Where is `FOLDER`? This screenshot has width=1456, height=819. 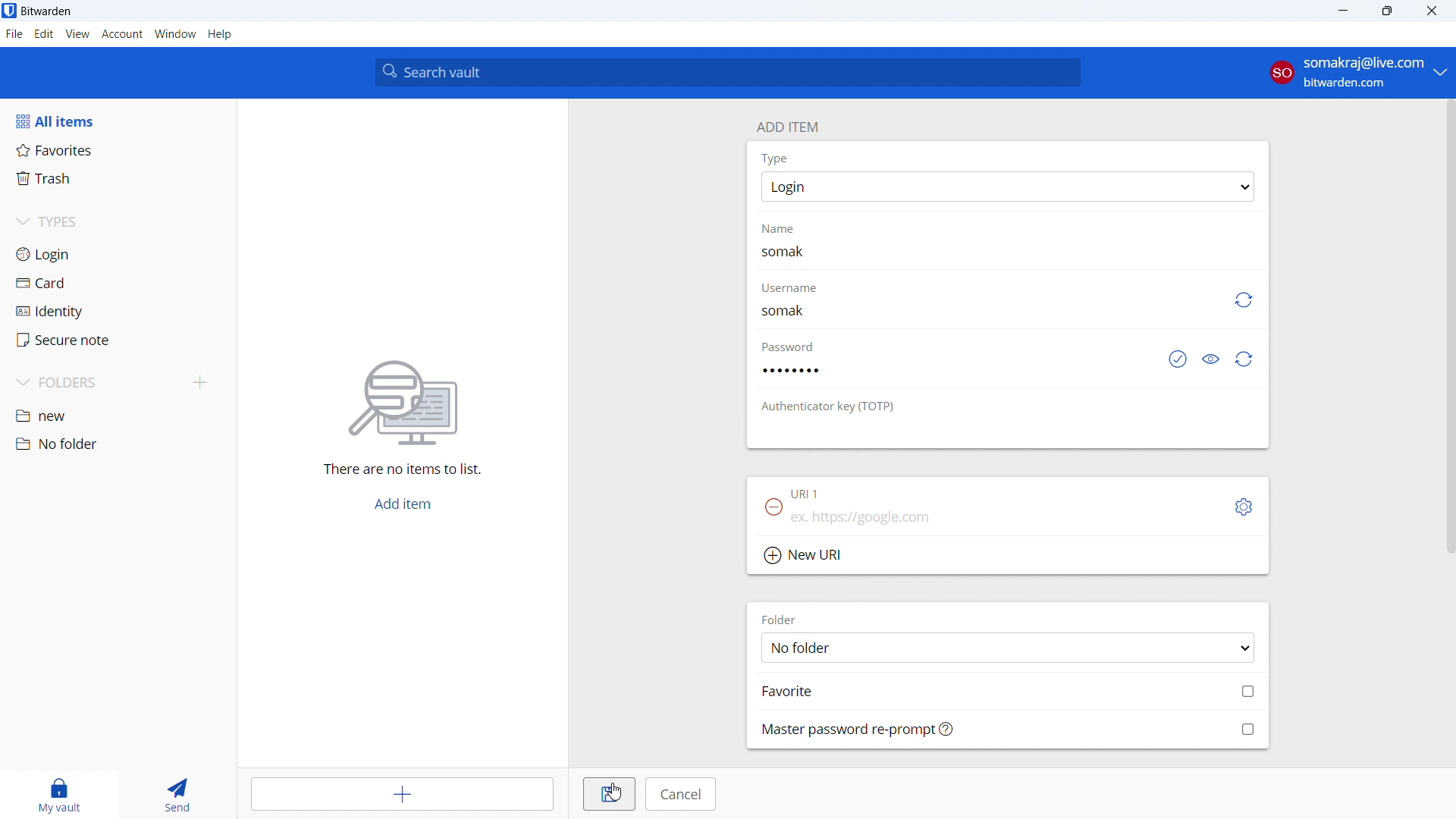 FOLDER is located at coordinates (783, 619).